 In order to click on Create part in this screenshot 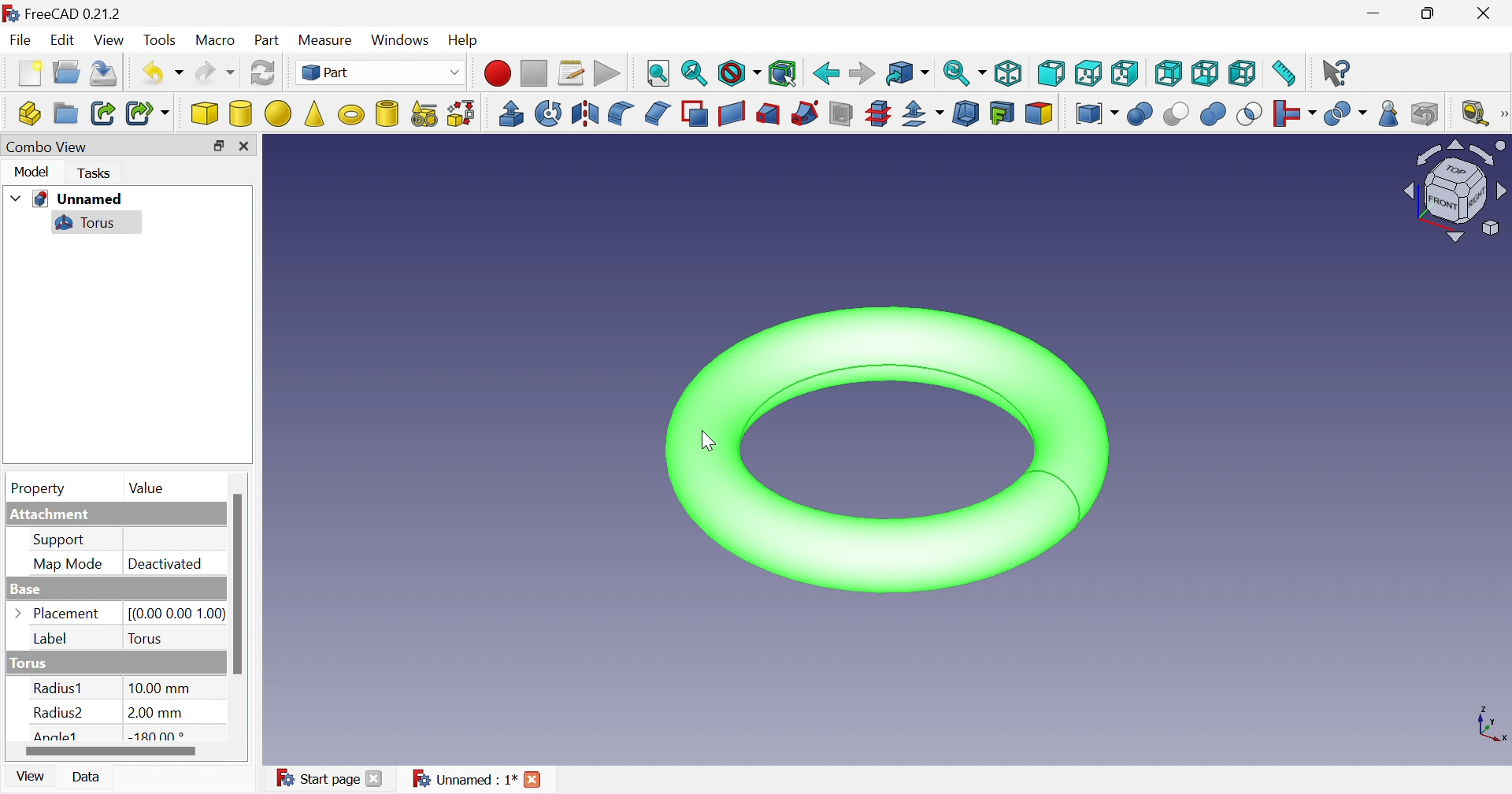, I will do `click(30, 114)`.